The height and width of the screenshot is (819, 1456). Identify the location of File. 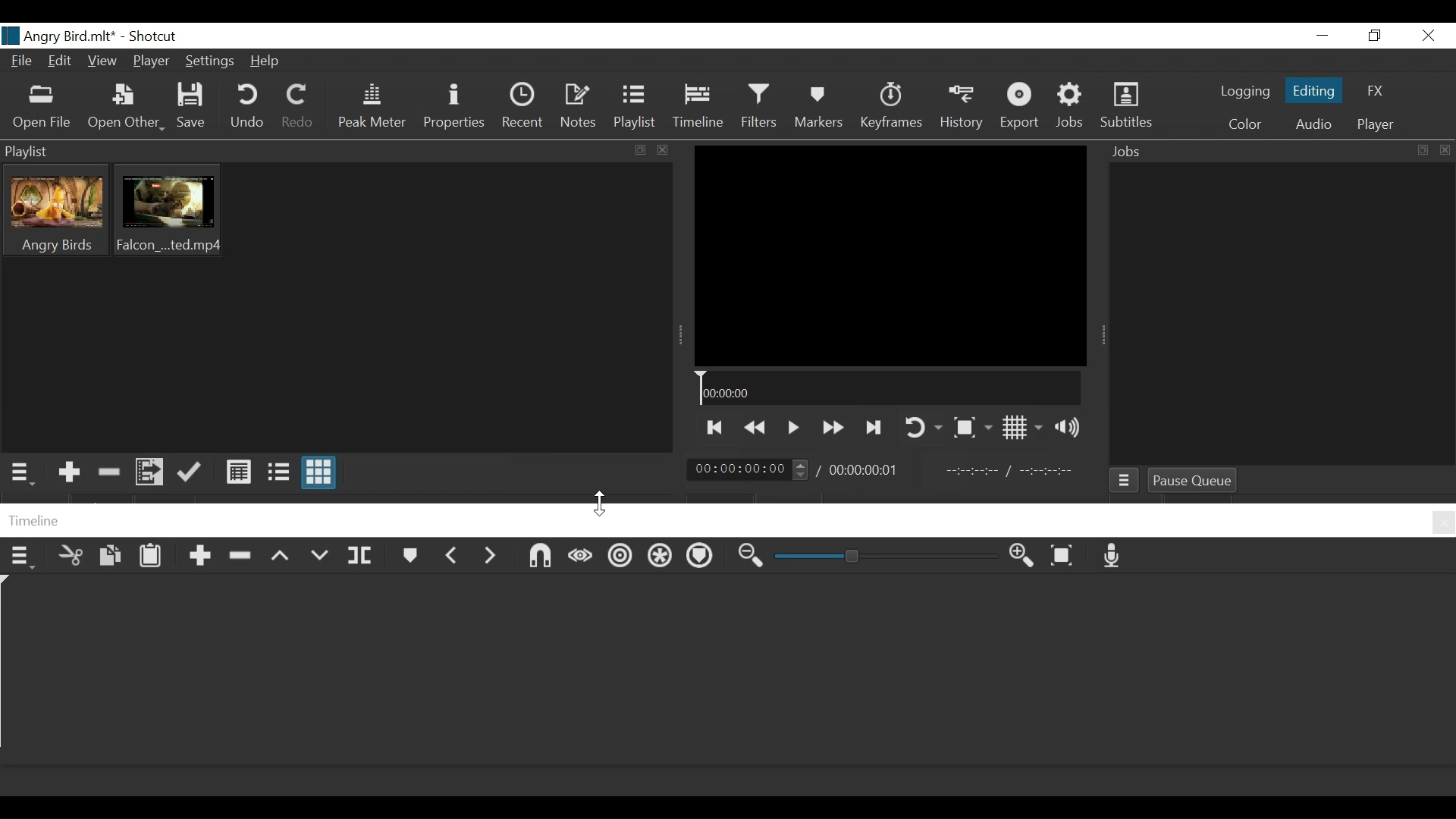
(21, 63).